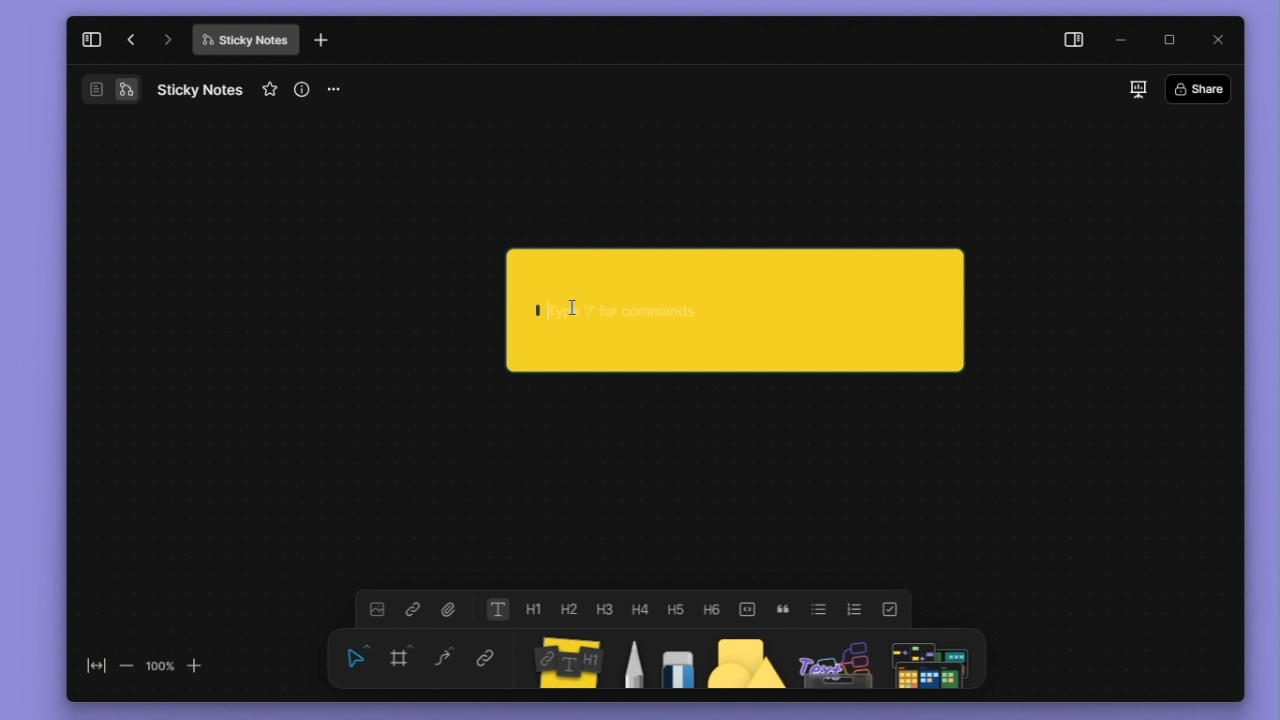 Image resolution: width=1280 pixels, height=720 pixels. What do you see at coordinates (681, 609) in the screenshot?
I see `heading` at bounding box center [681, 609].